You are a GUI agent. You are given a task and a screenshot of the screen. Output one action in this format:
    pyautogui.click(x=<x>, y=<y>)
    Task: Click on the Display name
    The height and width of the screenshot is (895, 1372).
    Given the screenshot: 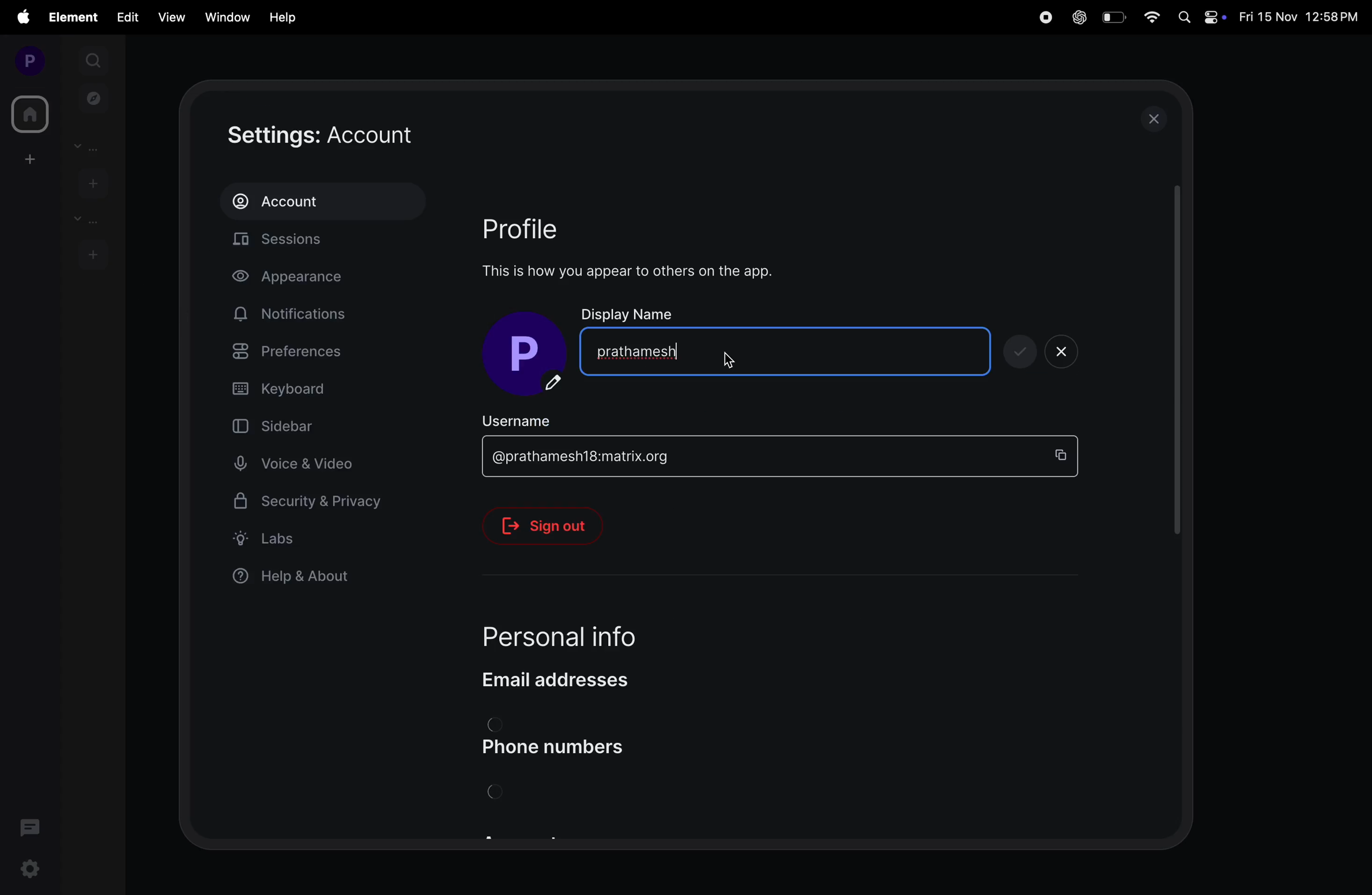 What is the action you would take?
    pyautogui.click(x=630, y=313)
    